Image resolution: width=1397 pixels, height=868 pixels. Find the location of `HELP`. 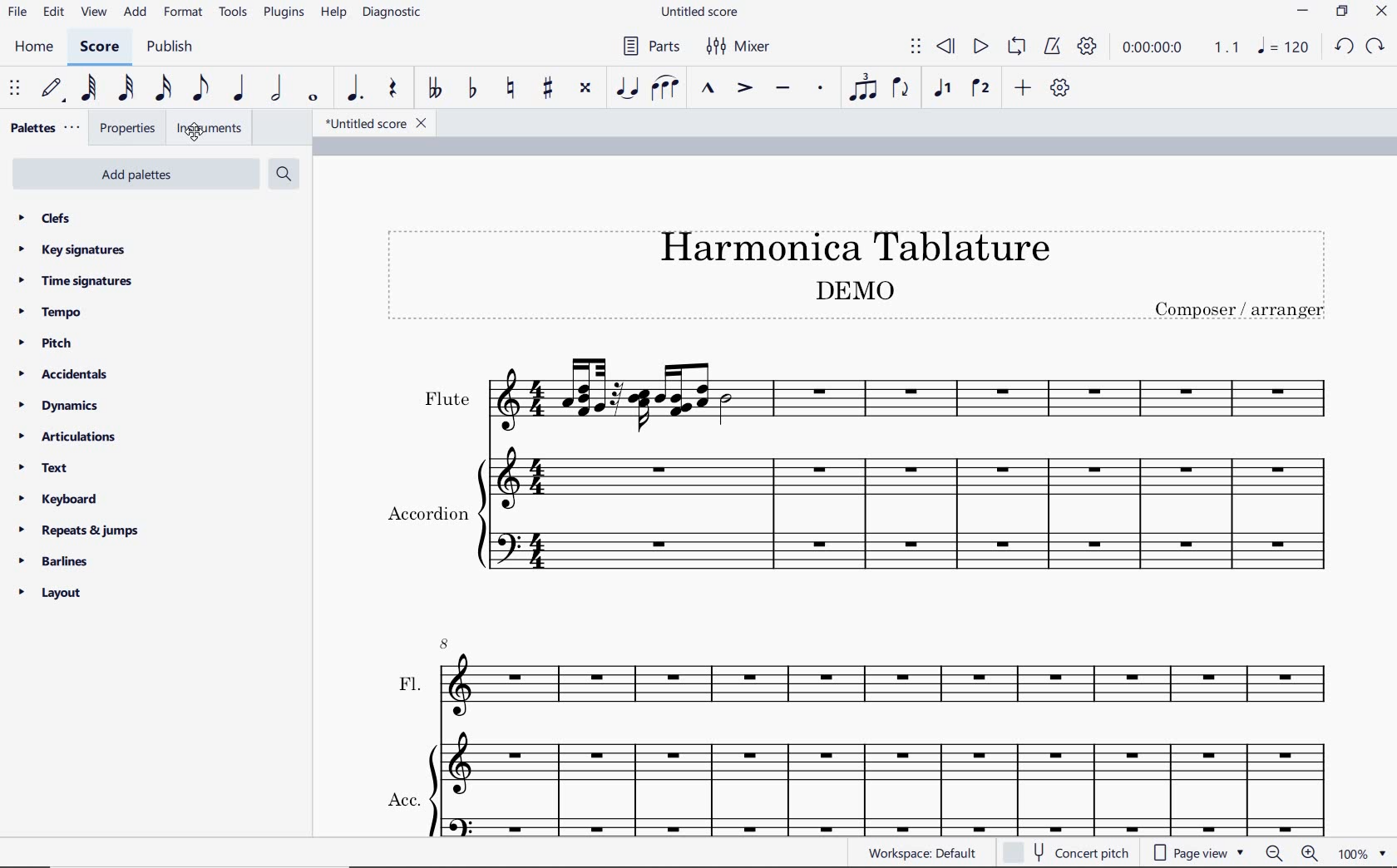

HELP is located at coordinates (334, 13).